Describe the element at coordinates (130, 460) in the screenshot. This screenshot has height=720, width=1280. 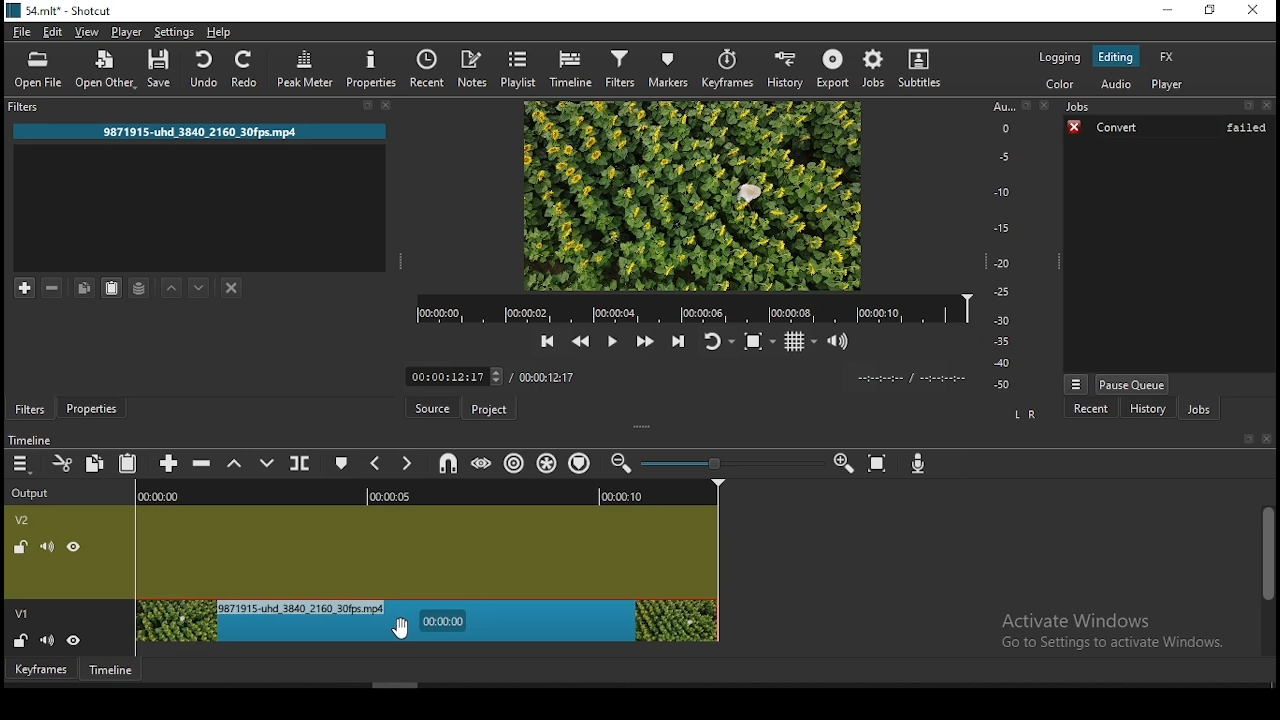
I see `paste` at that location.